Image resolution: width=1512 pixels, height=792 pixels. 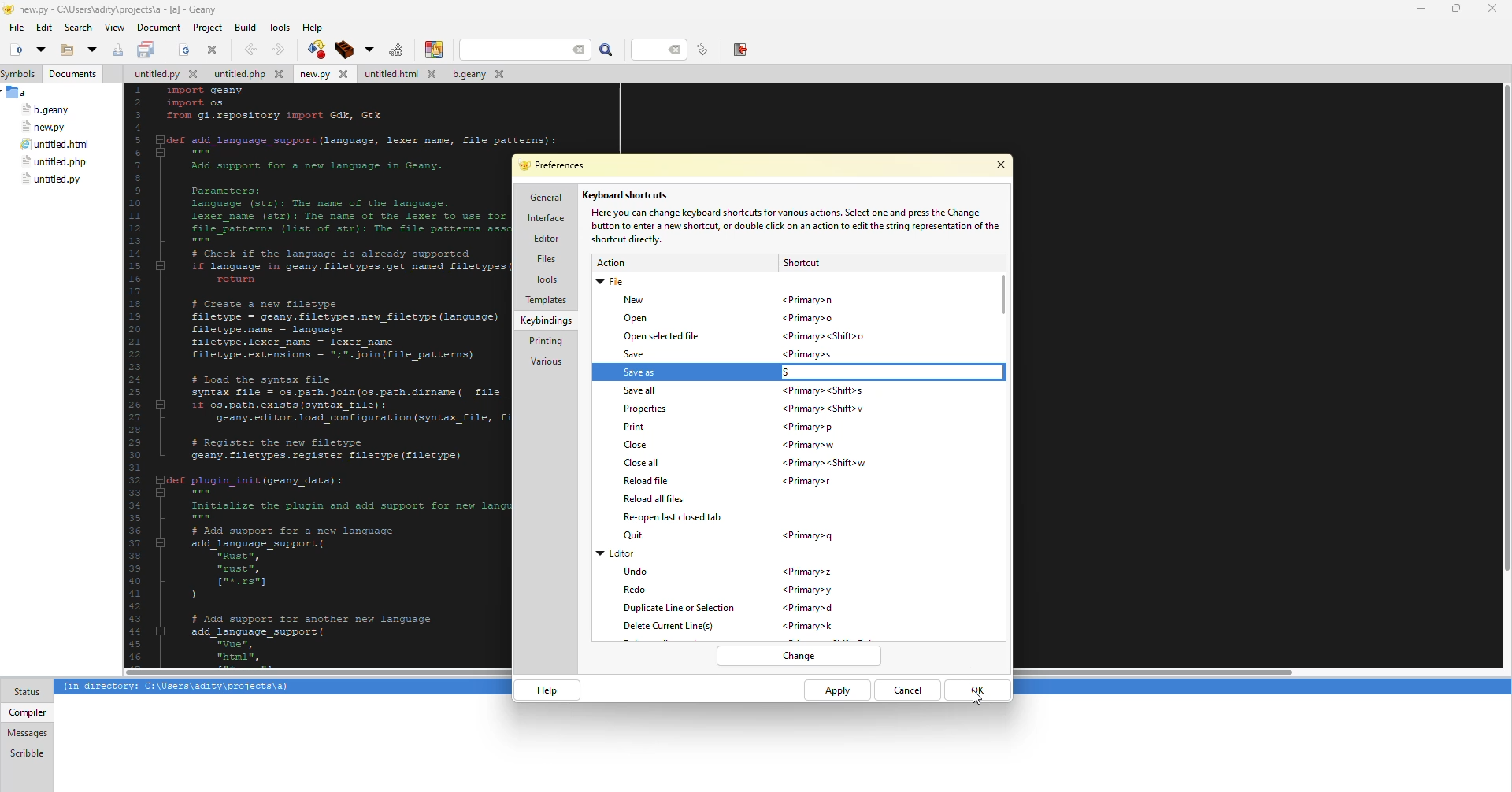 I want to click on change, so click(x=799, y=657).